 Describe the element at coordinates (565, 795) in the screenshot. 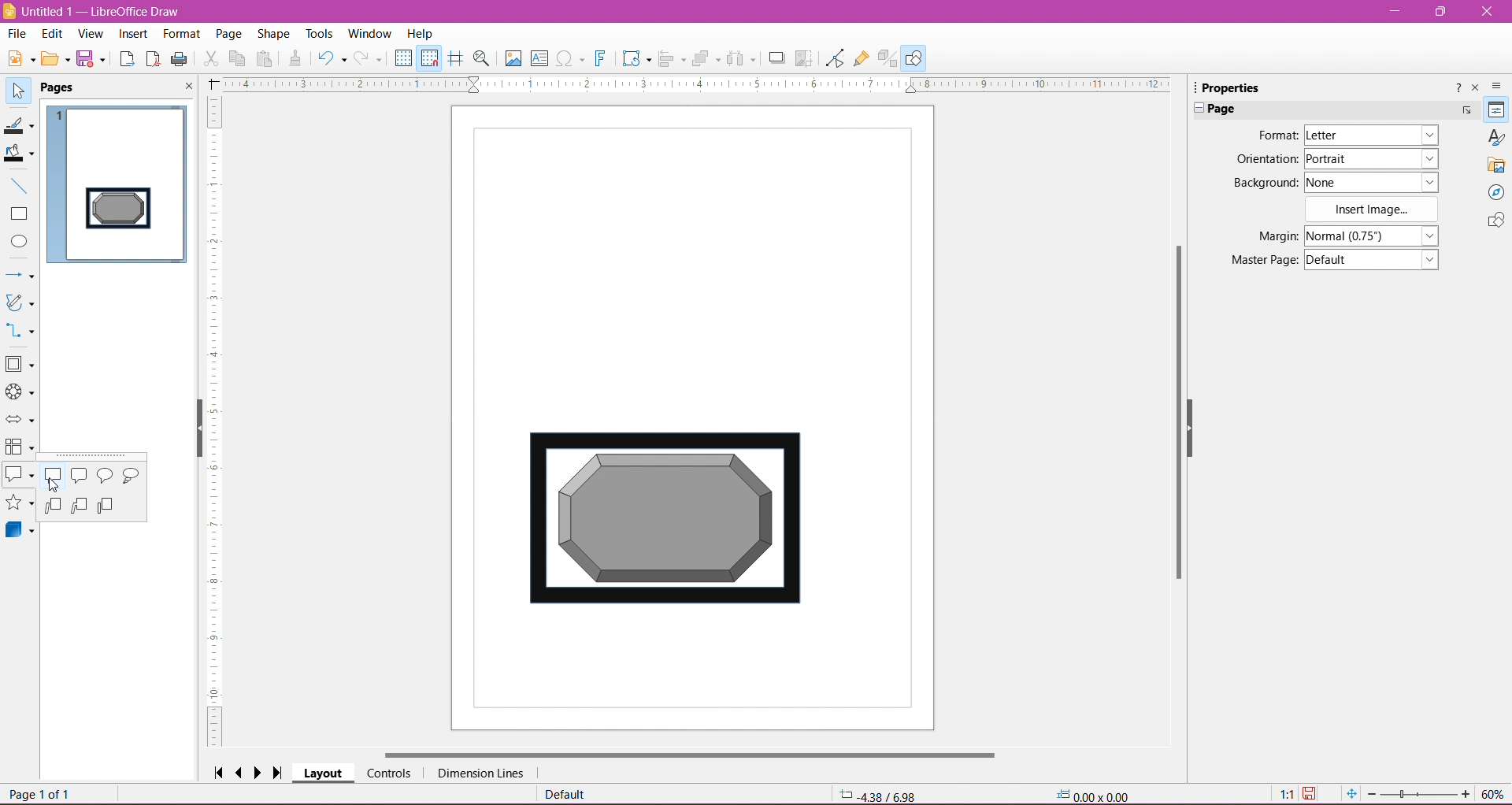

I see `Default` at that location.